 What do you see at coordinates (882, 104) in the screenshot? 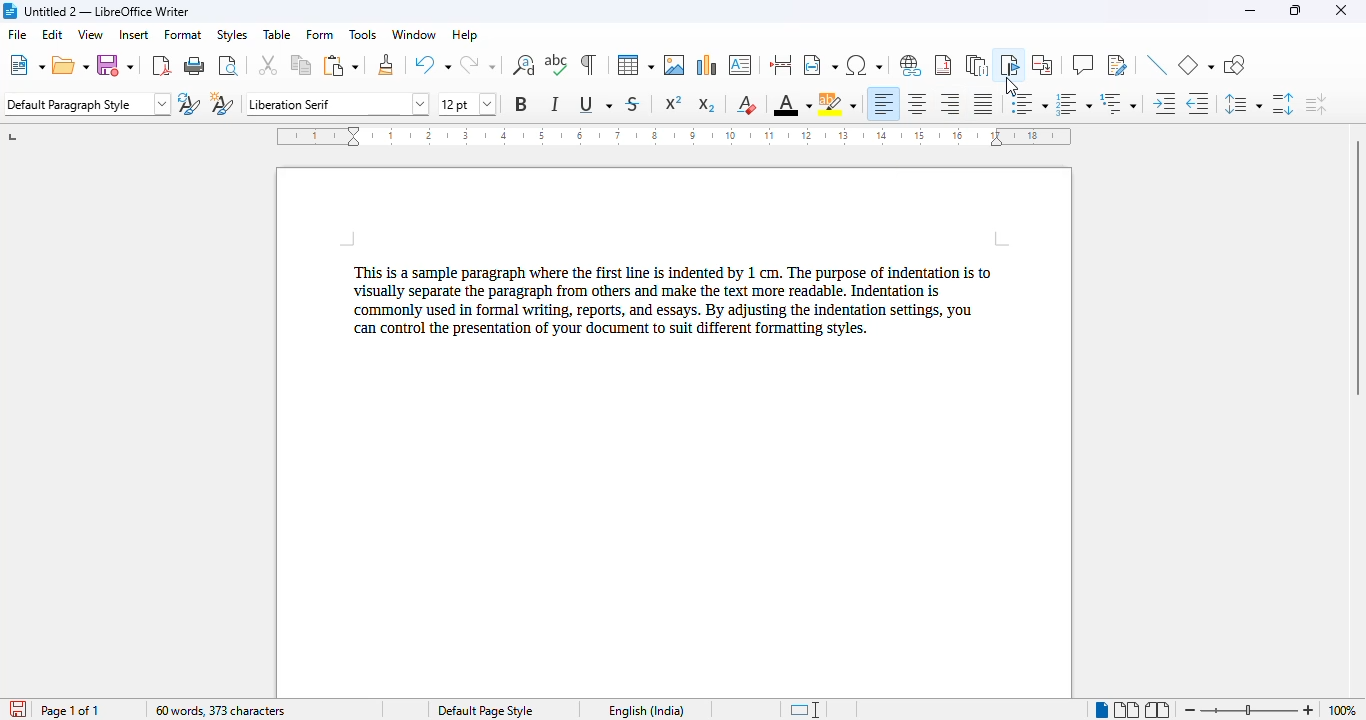
I see `align left` at bounding box center [882, 104].